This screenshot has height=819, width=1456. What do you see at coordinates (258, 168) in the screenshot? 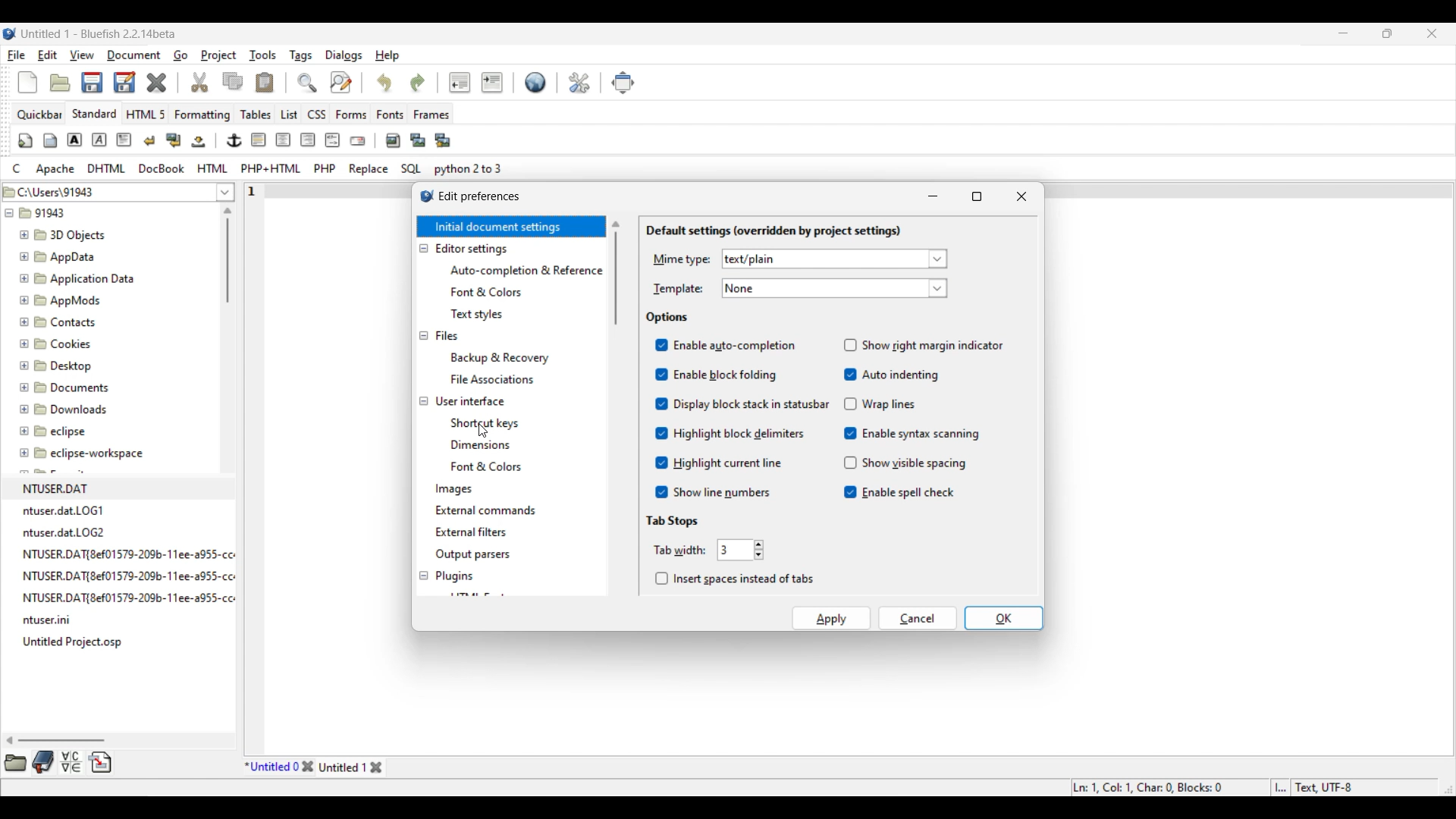
I see `Code language options` at bounding box center [258, 168].